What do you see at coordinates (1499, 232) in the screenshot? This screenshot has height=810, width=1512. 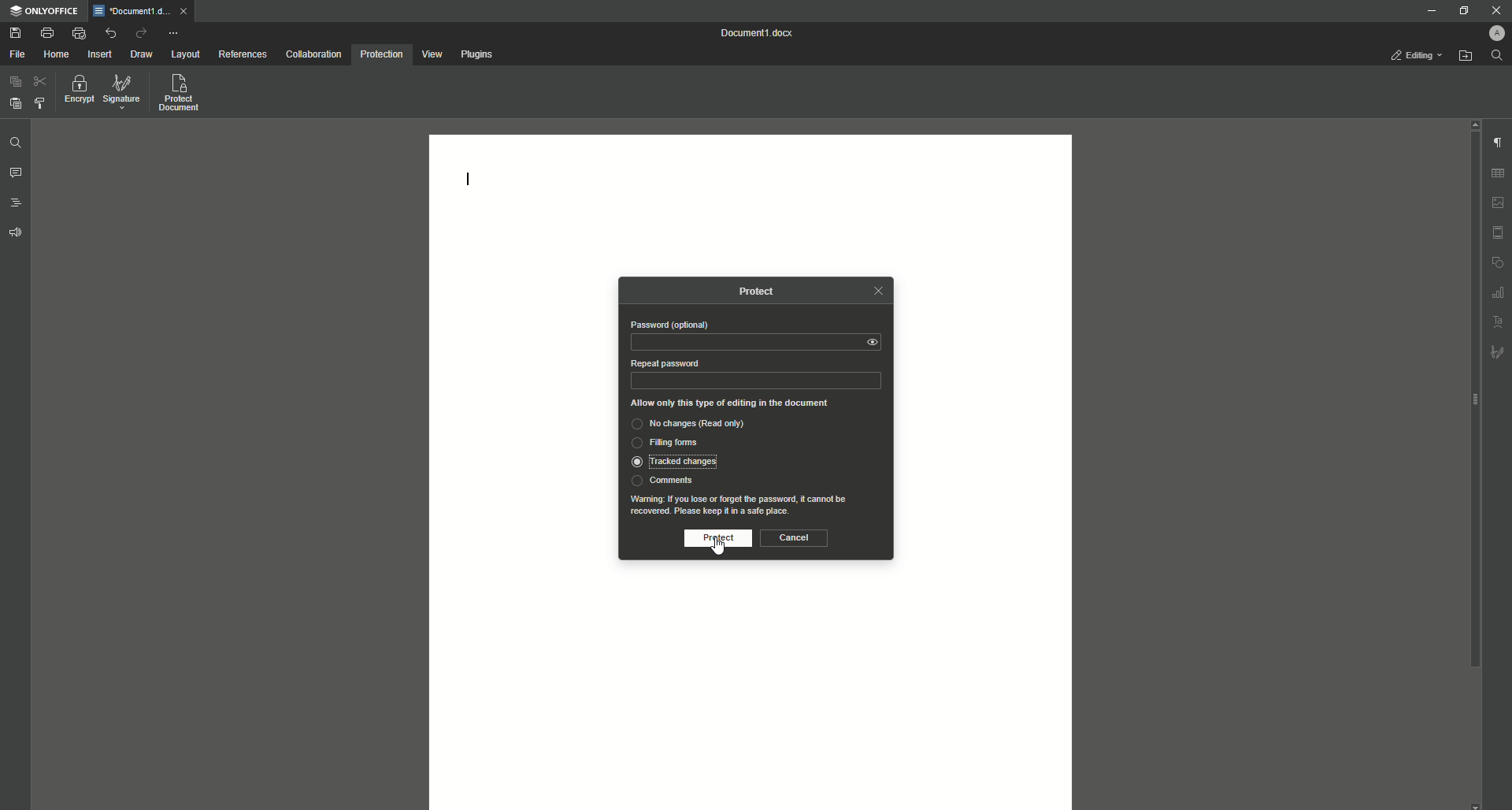 I see `Header/Footer settings` at bounding box center [1499, 232].